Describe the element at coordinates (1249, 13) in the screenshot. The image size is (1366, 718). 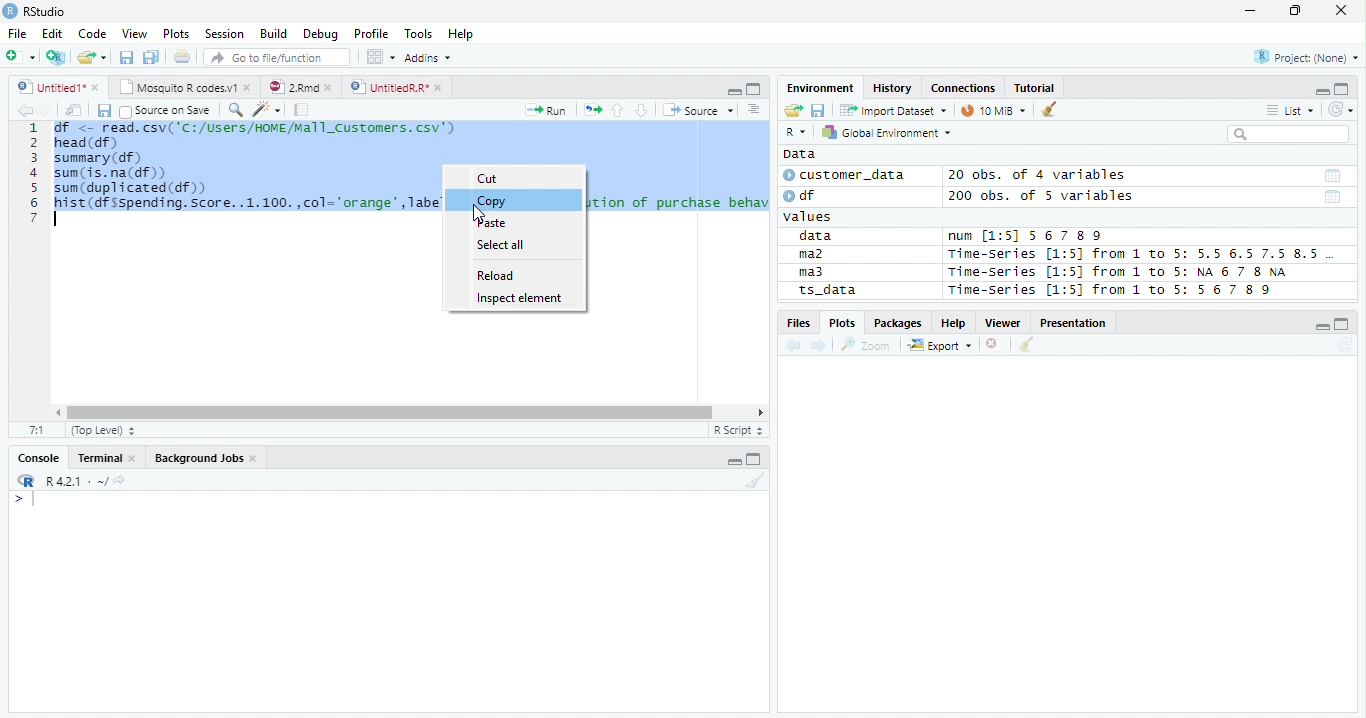
I see `Minimize` at that location.